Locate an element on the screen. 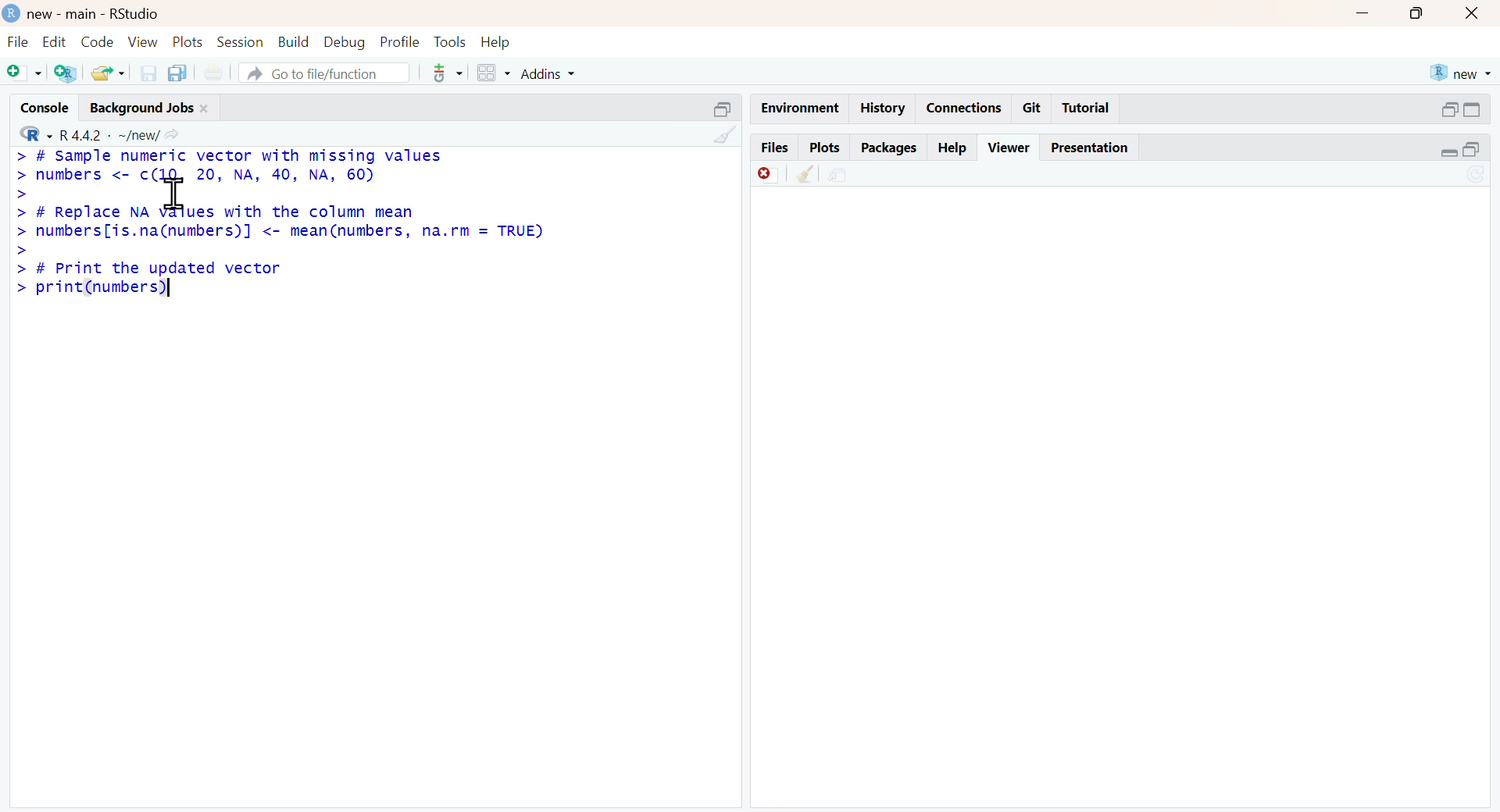  background jobs is located at coordinates (143, 109).